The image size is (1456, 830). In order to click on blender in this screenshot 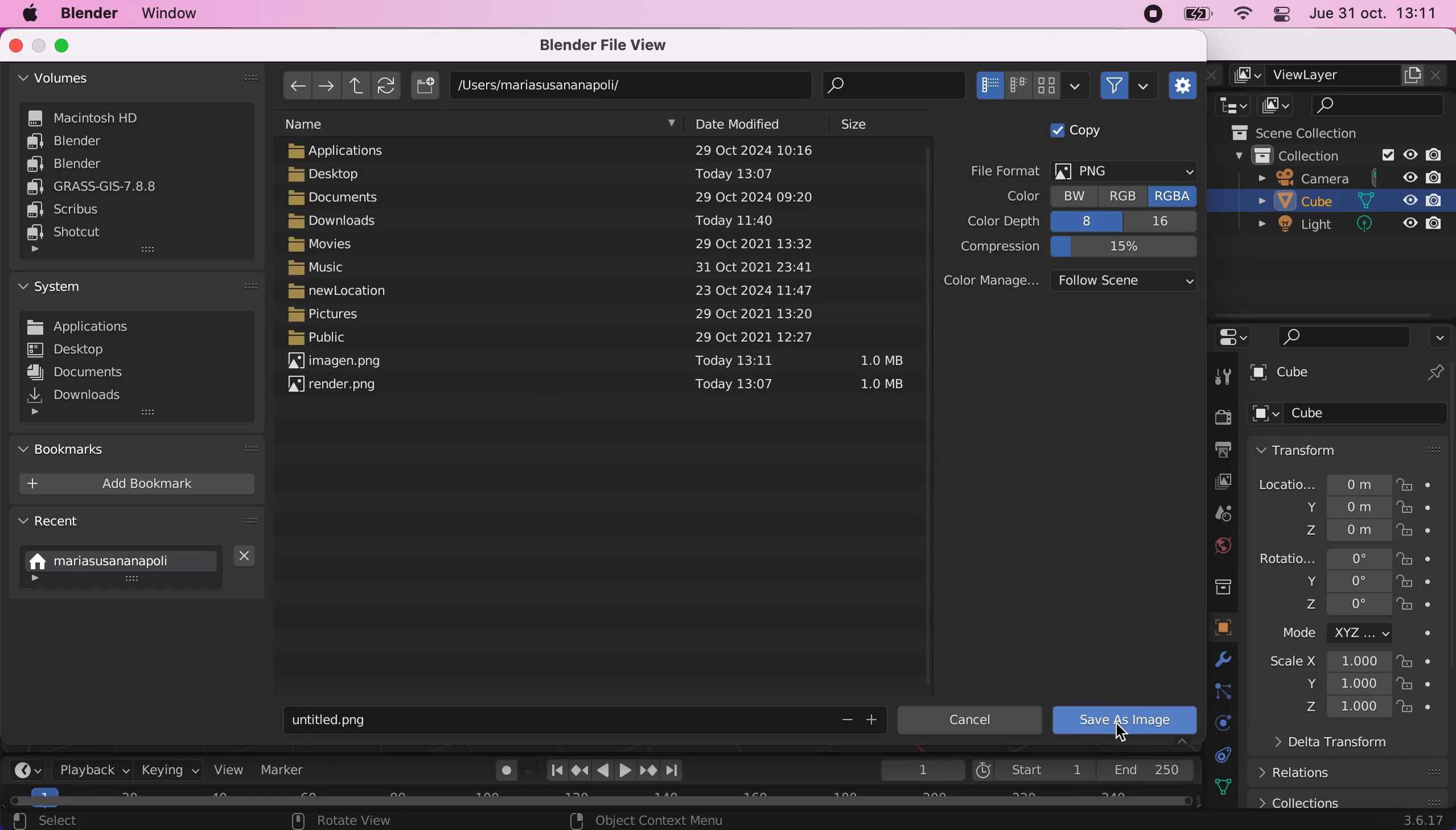, I will do `click(88, 14)`.